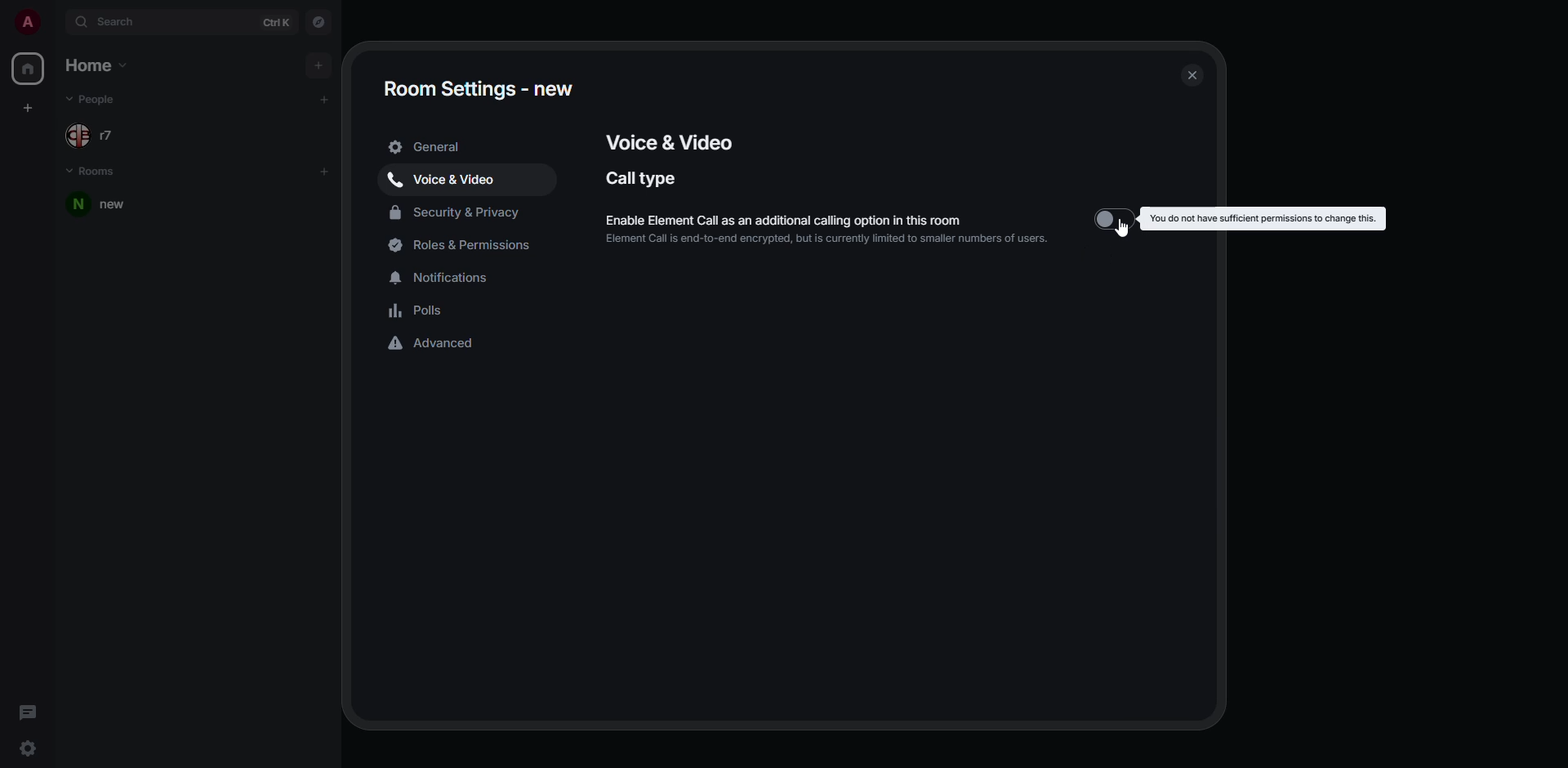 Image resolution: width=1568 pixels, height=768 pixels. I want to click on home, so click(28, 69).